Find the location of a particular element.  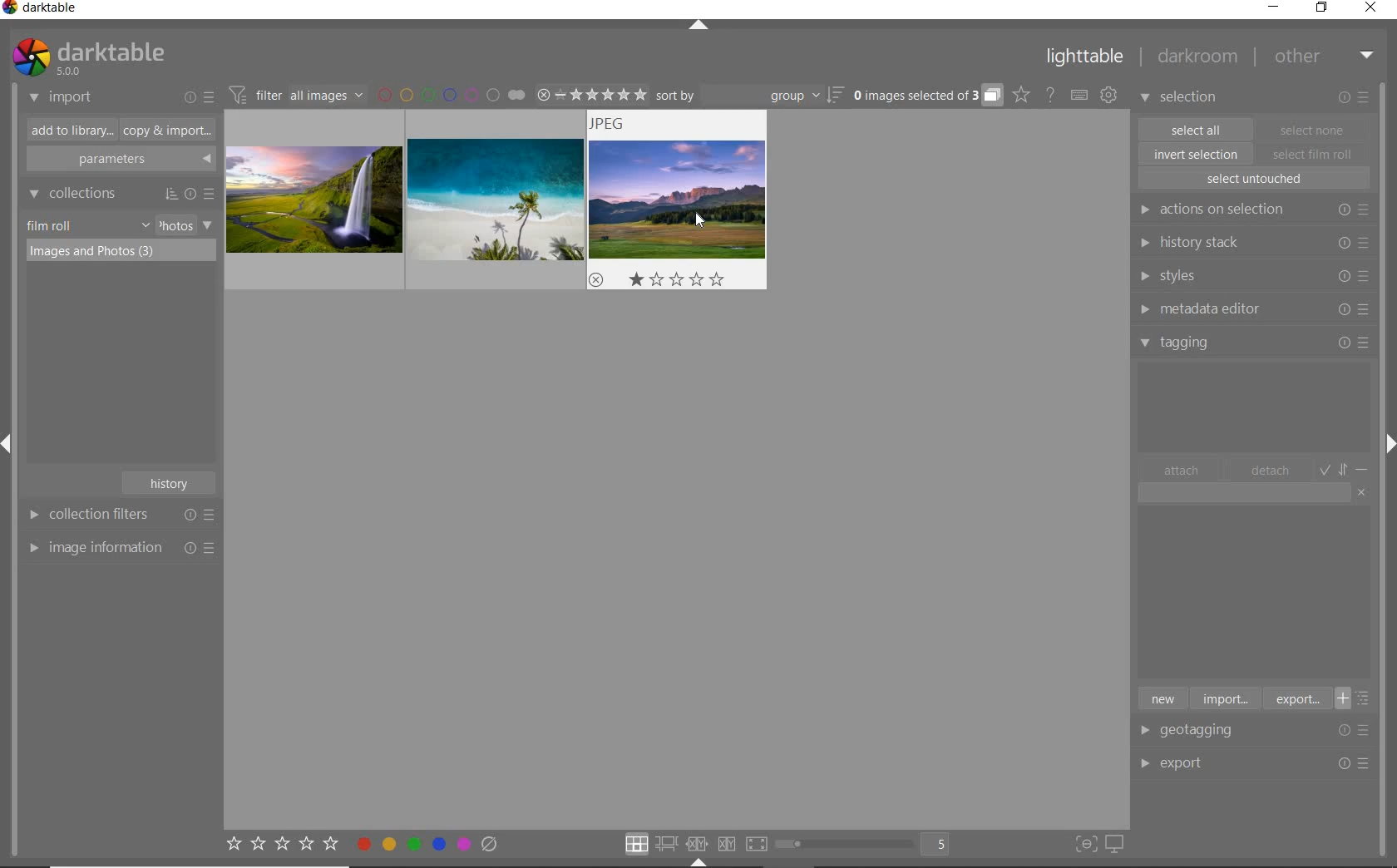

toggle list is located at coordinates (1358, 698).